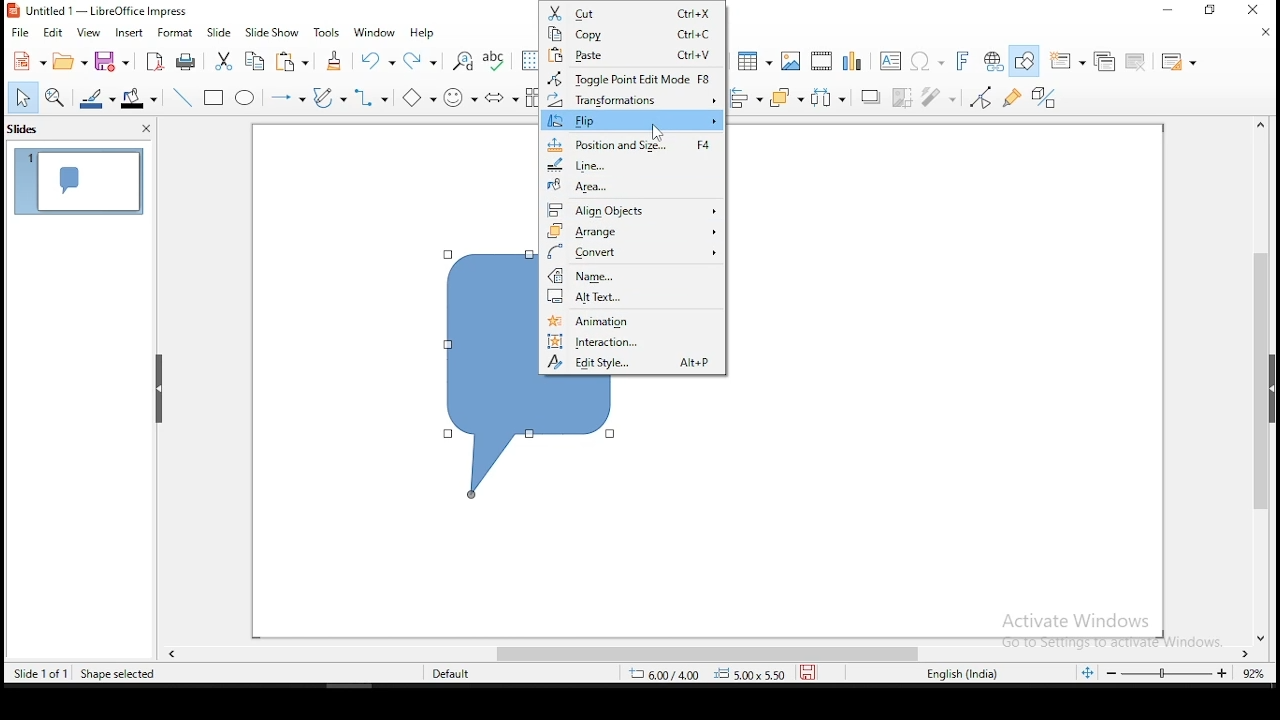 The height and width of the screenshot is (720, 1280). I want to click on block arrows, so click(504, 98).